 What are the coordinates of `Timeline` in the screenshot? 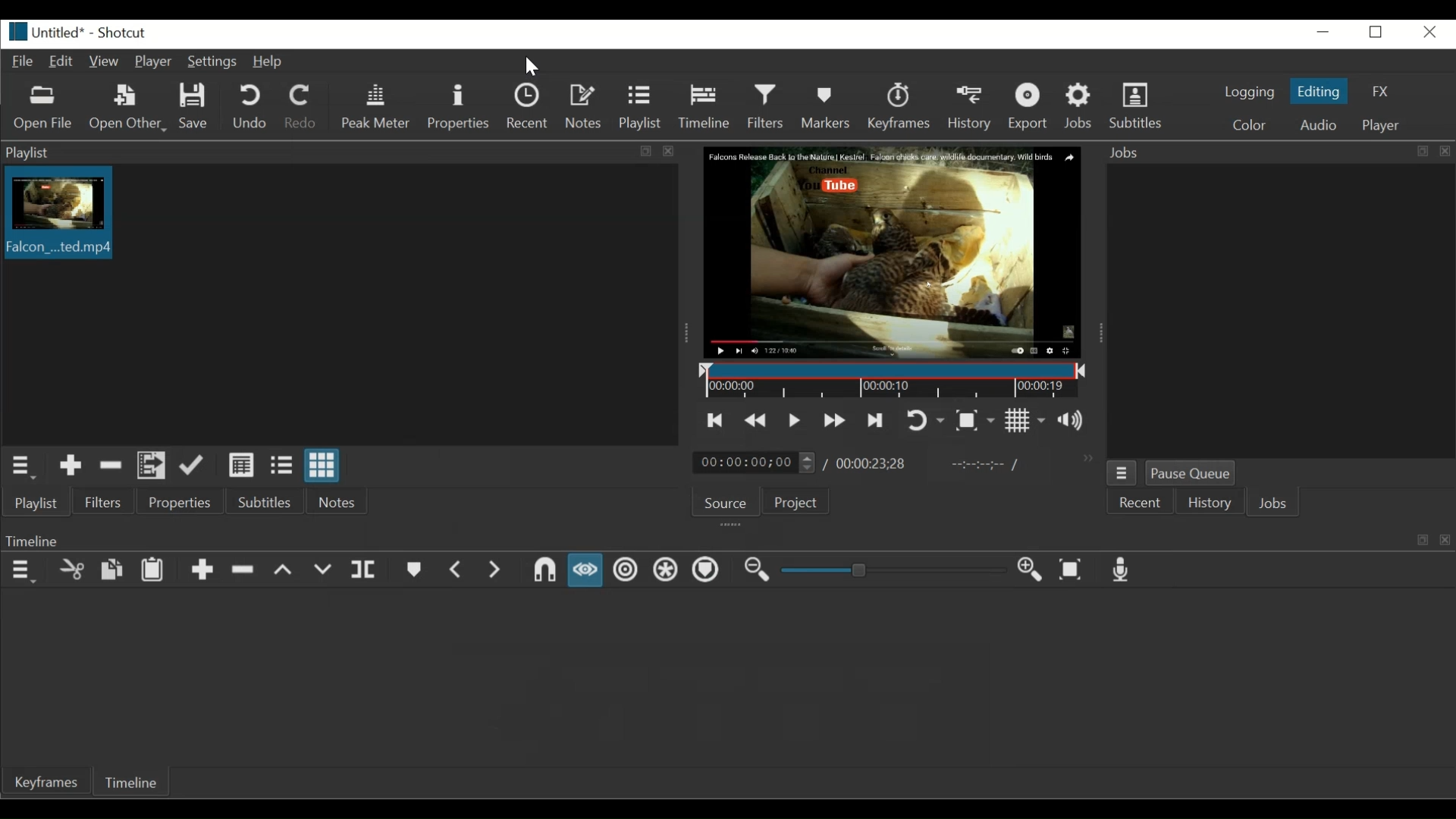 It's located at (128, 783).